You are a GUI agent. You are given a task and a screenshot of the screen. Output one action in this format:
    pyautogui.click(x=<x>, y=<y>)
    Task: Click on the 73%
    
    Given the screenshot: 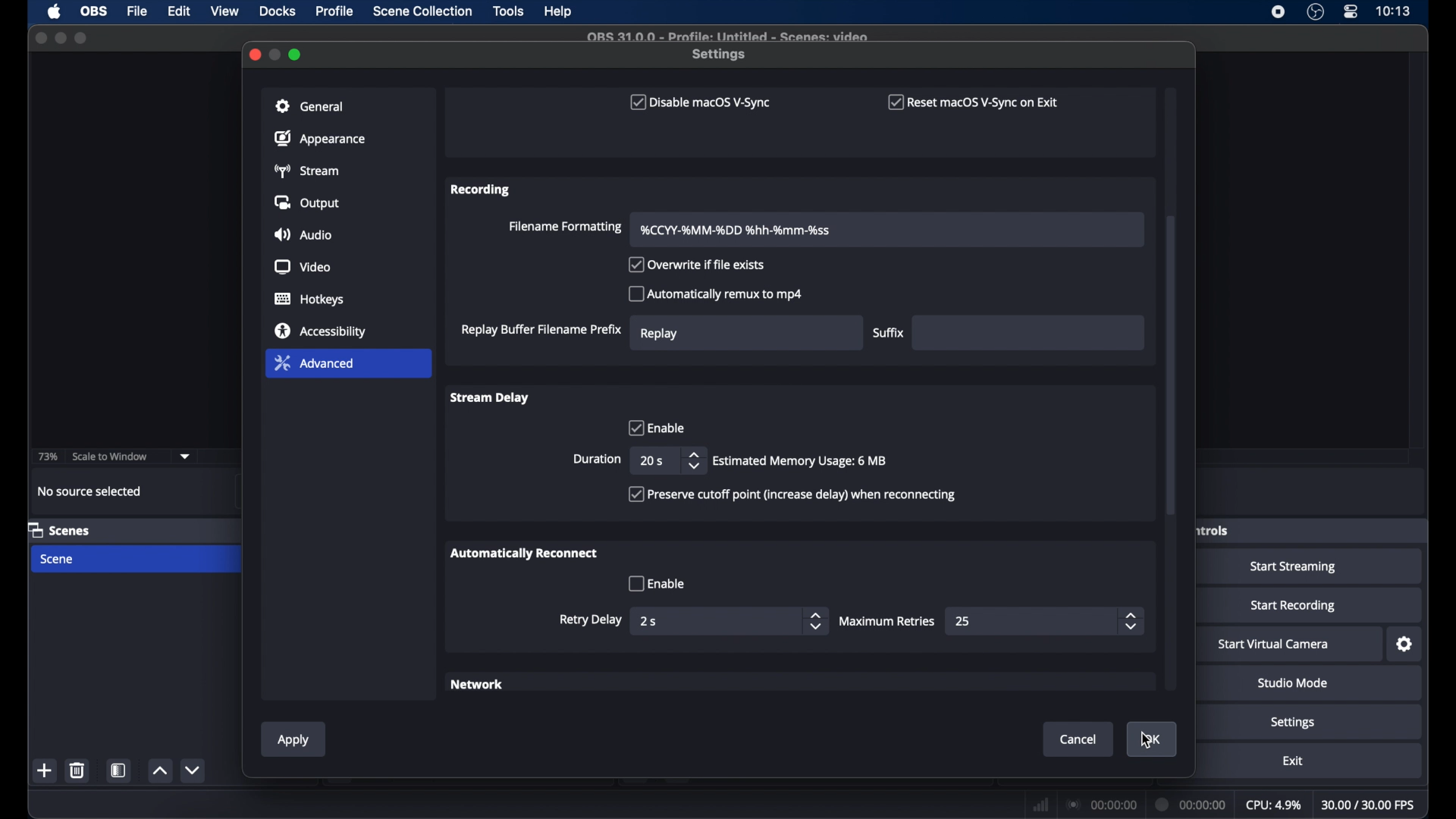 What is the action you would take?
    pyautogui.click(x=49, y=457)
    